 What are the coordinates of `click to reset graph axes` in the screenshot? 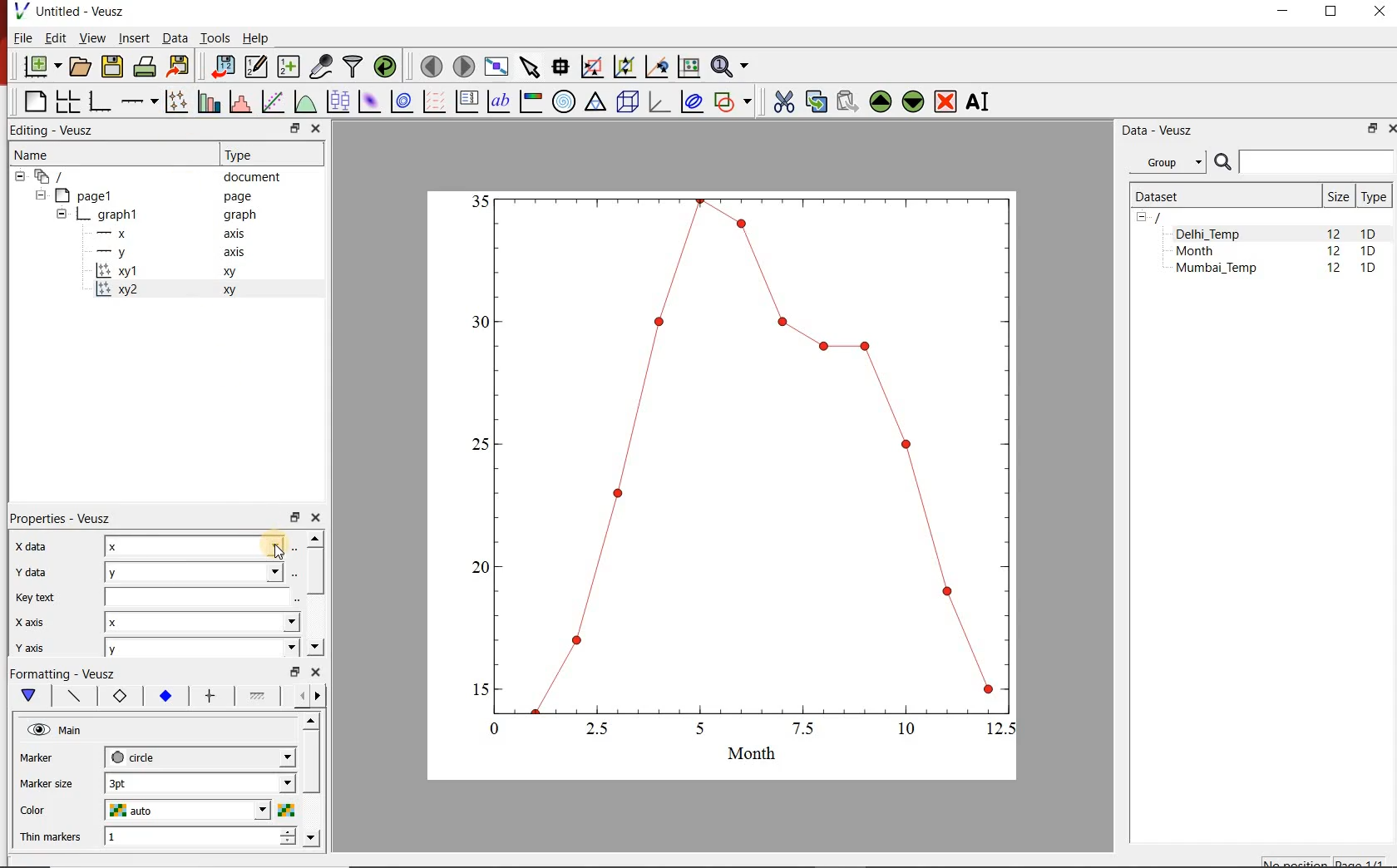 It's located at (689, 67).